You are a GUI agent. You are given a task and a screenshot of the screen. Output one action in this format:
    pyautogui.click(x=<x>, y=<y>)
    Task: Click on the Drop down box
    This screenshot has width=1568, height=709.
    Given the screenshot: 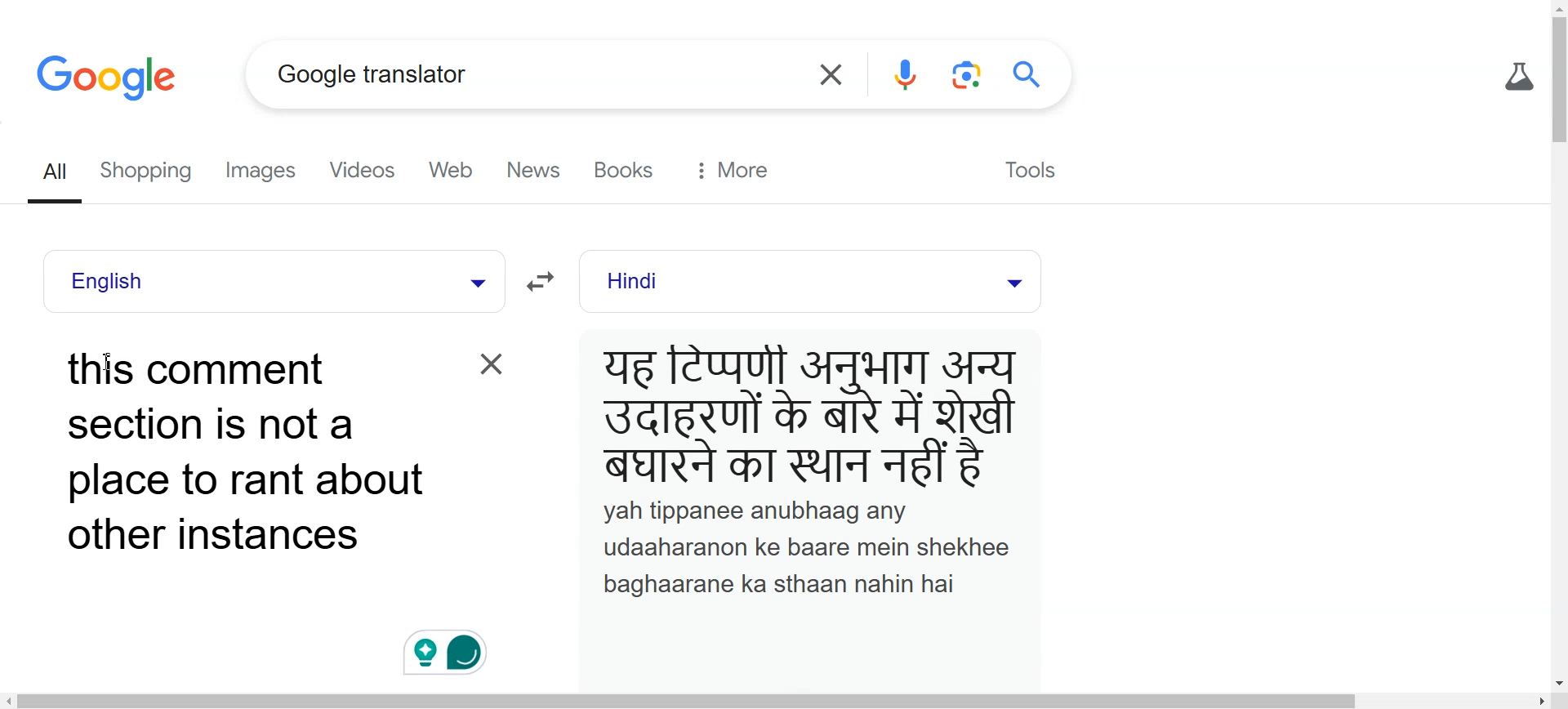 What is the action you would take?
    pyautogui.click(x=1012, y=281)
    